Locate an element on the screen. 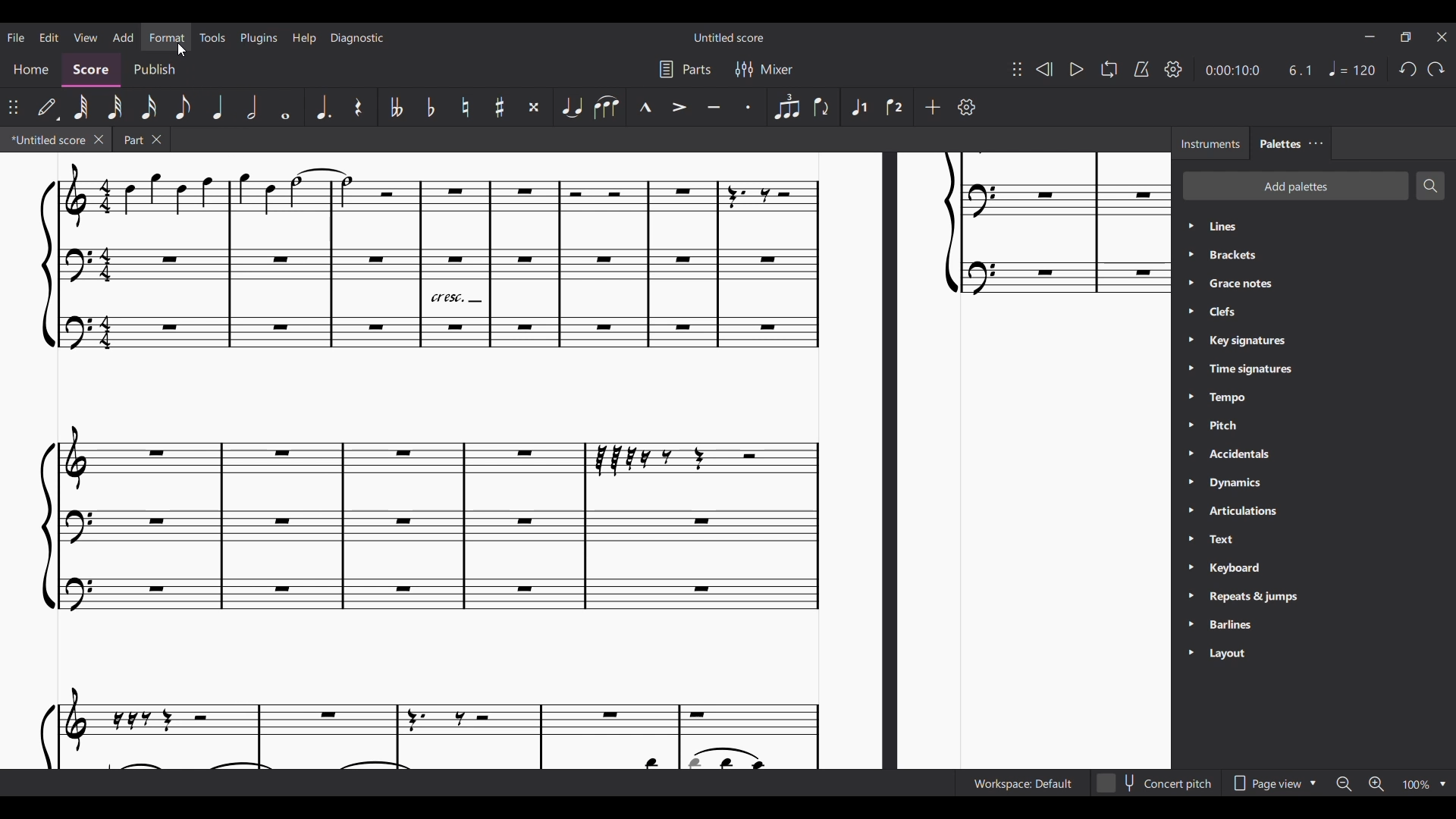  Current duration and ratio is located at coordinates (1257, 70).